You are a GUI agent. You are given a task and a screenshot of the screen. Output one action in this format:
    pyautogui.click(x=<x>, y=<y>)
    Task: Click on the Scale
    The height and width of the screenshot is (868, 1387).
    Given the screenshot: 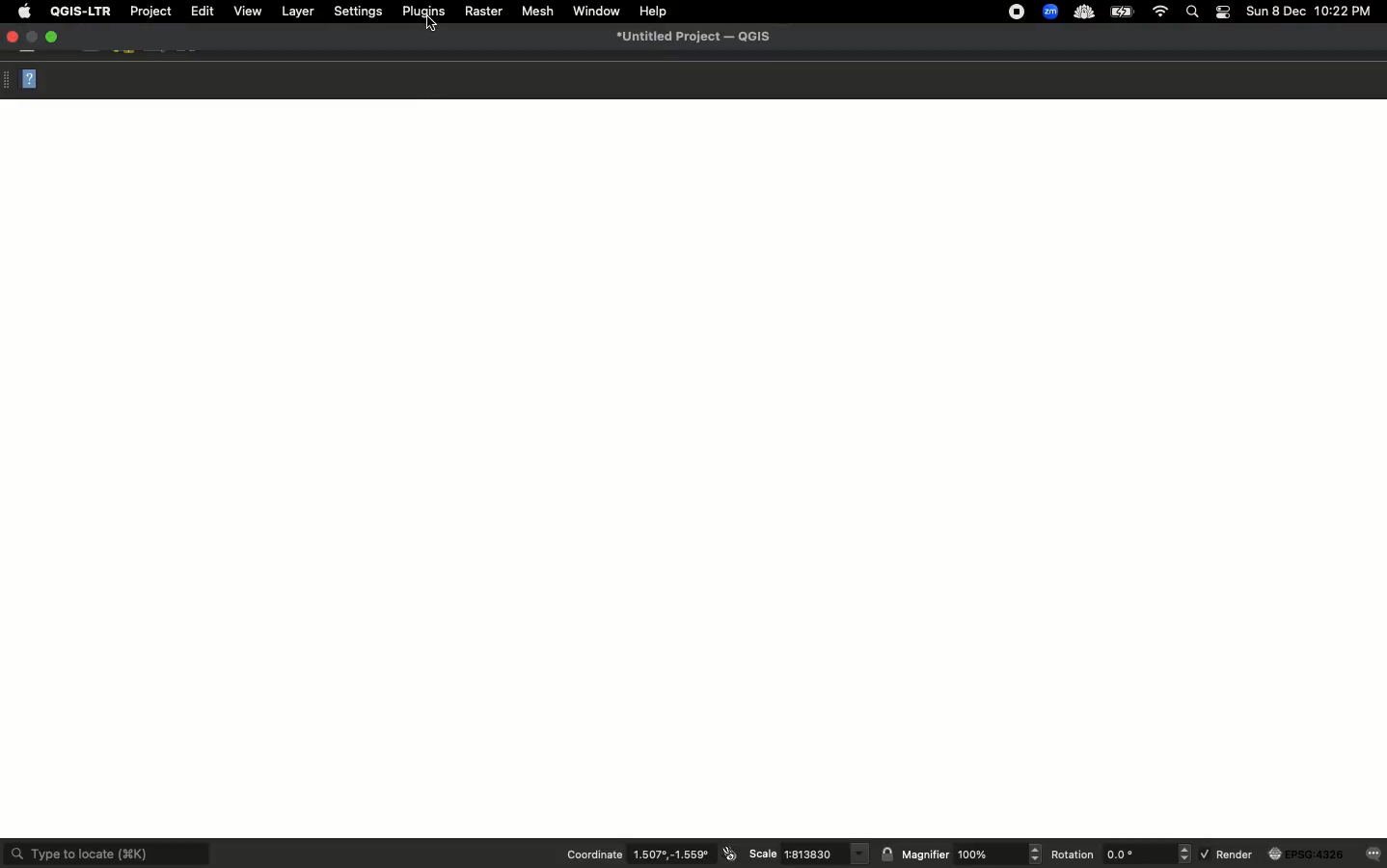 What is the action you would take?
    pyautogui.click(x=763, y=853)
    